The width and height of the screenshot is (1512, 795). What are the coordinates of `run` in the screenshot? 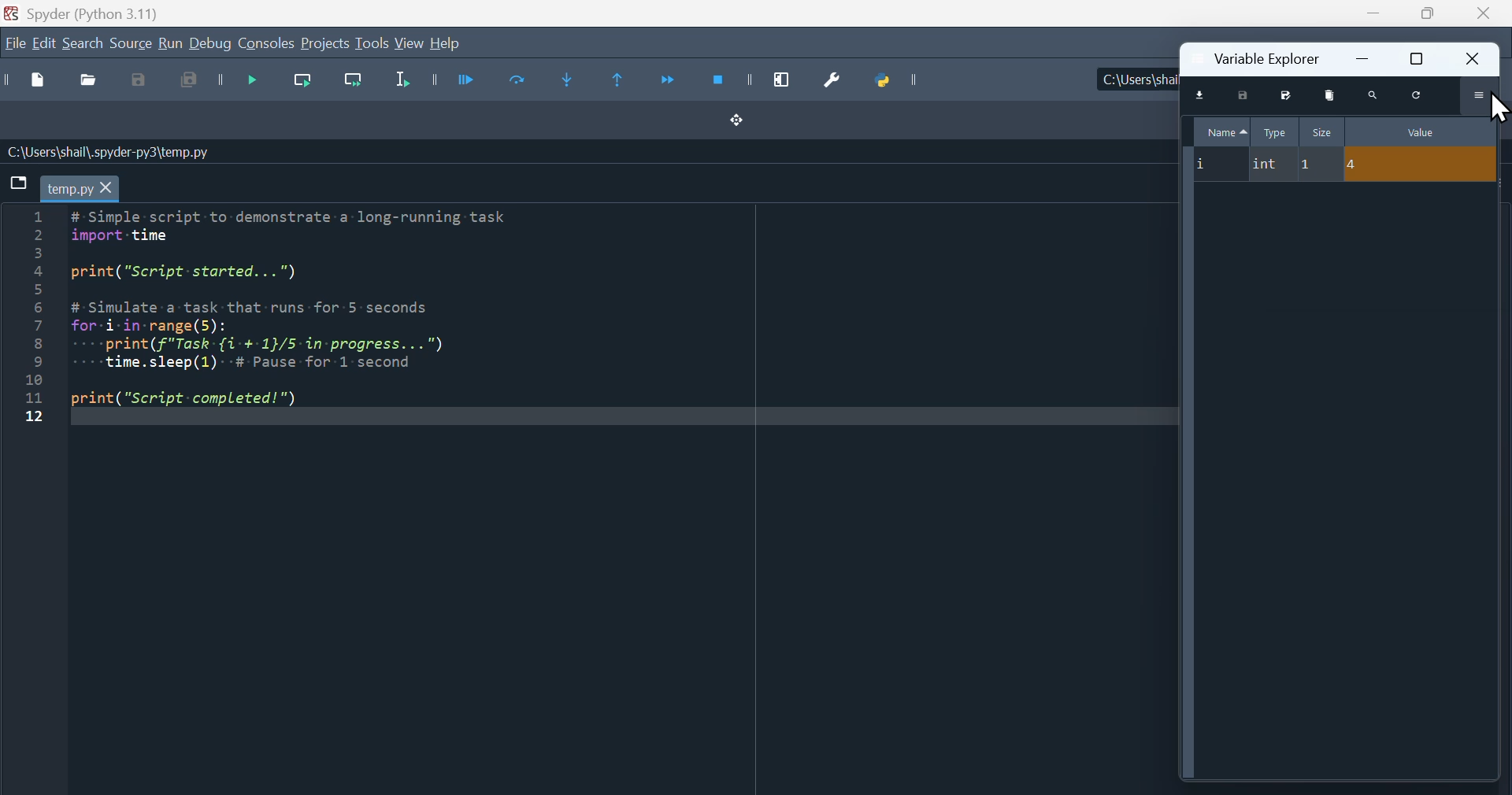 It's located at (169, 44).